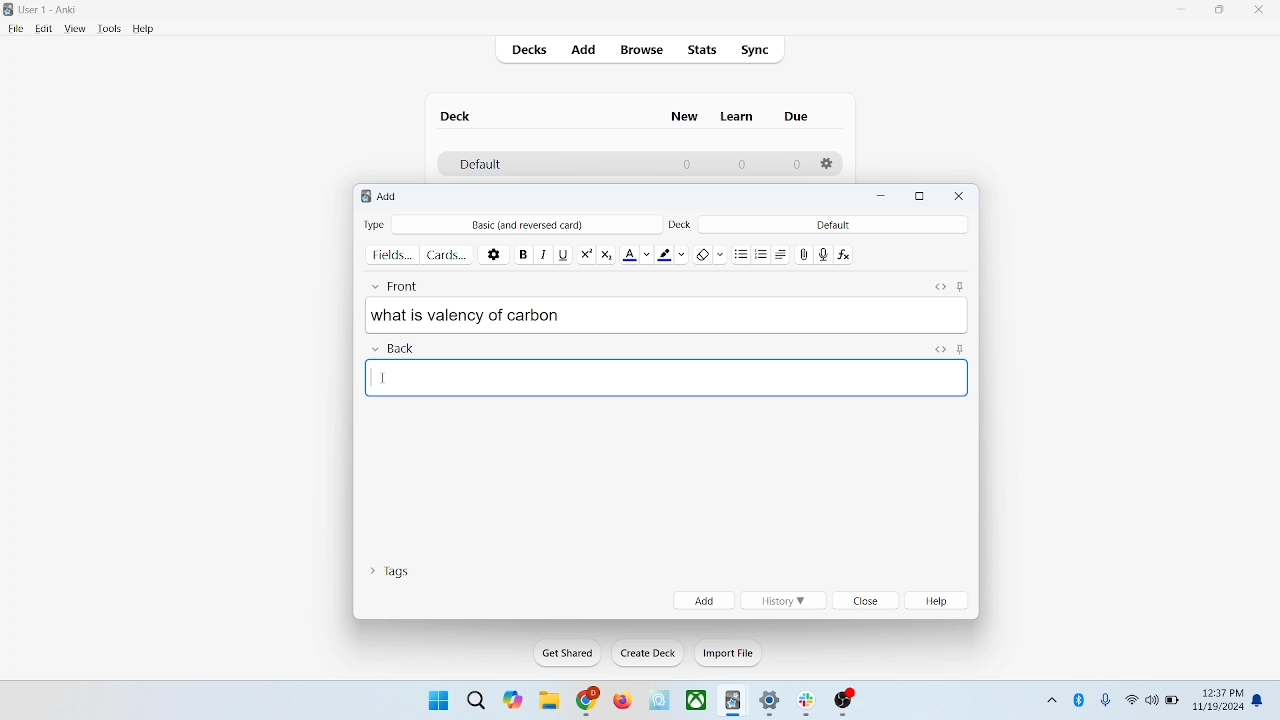 This screenshot has width=1280, height=720. Describe the element at coordinates (833, 224) in the screenshot. I see `default` at that location.